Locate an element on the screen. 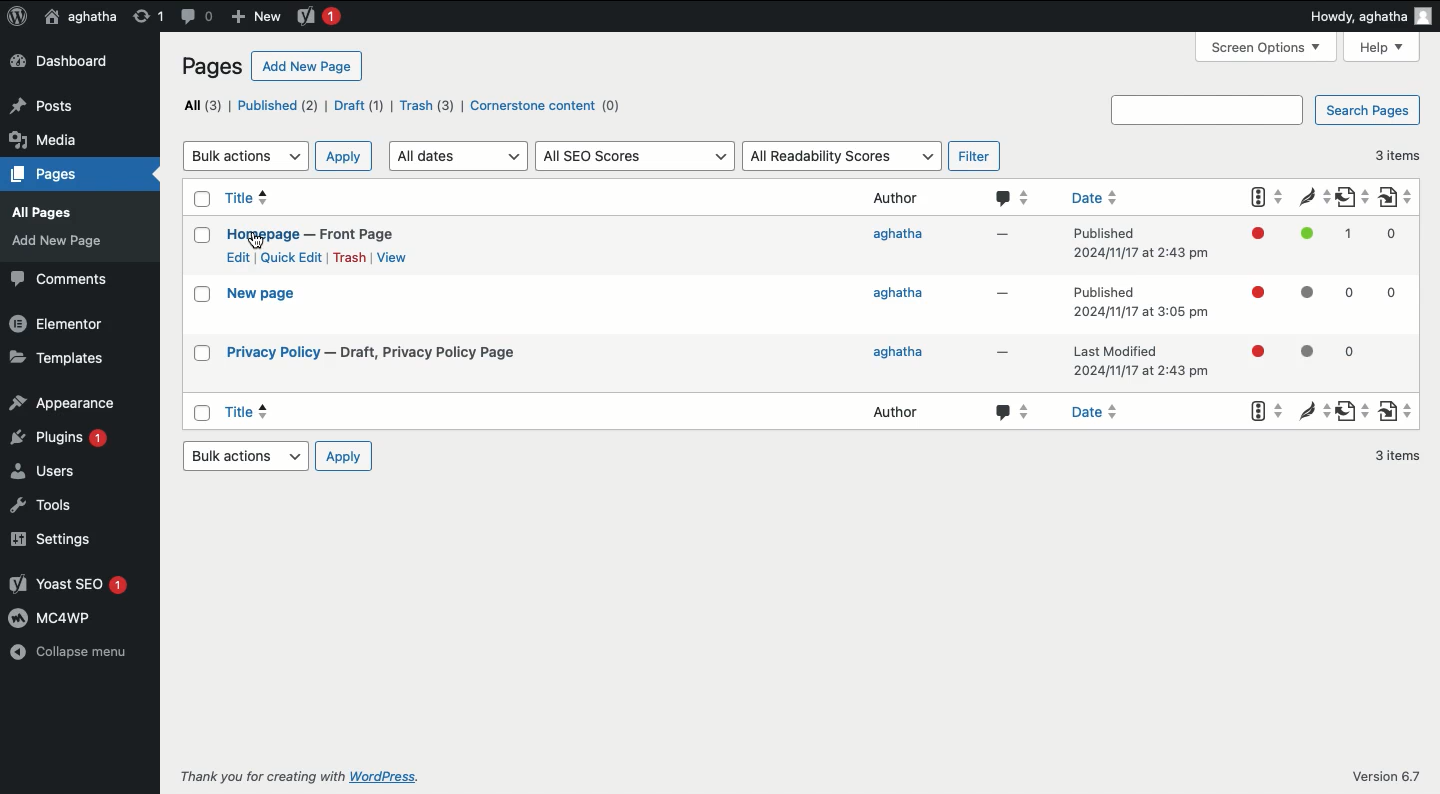 This screenshot has width=1440, height=794. Search pages is located at coordinates (1268, 109).